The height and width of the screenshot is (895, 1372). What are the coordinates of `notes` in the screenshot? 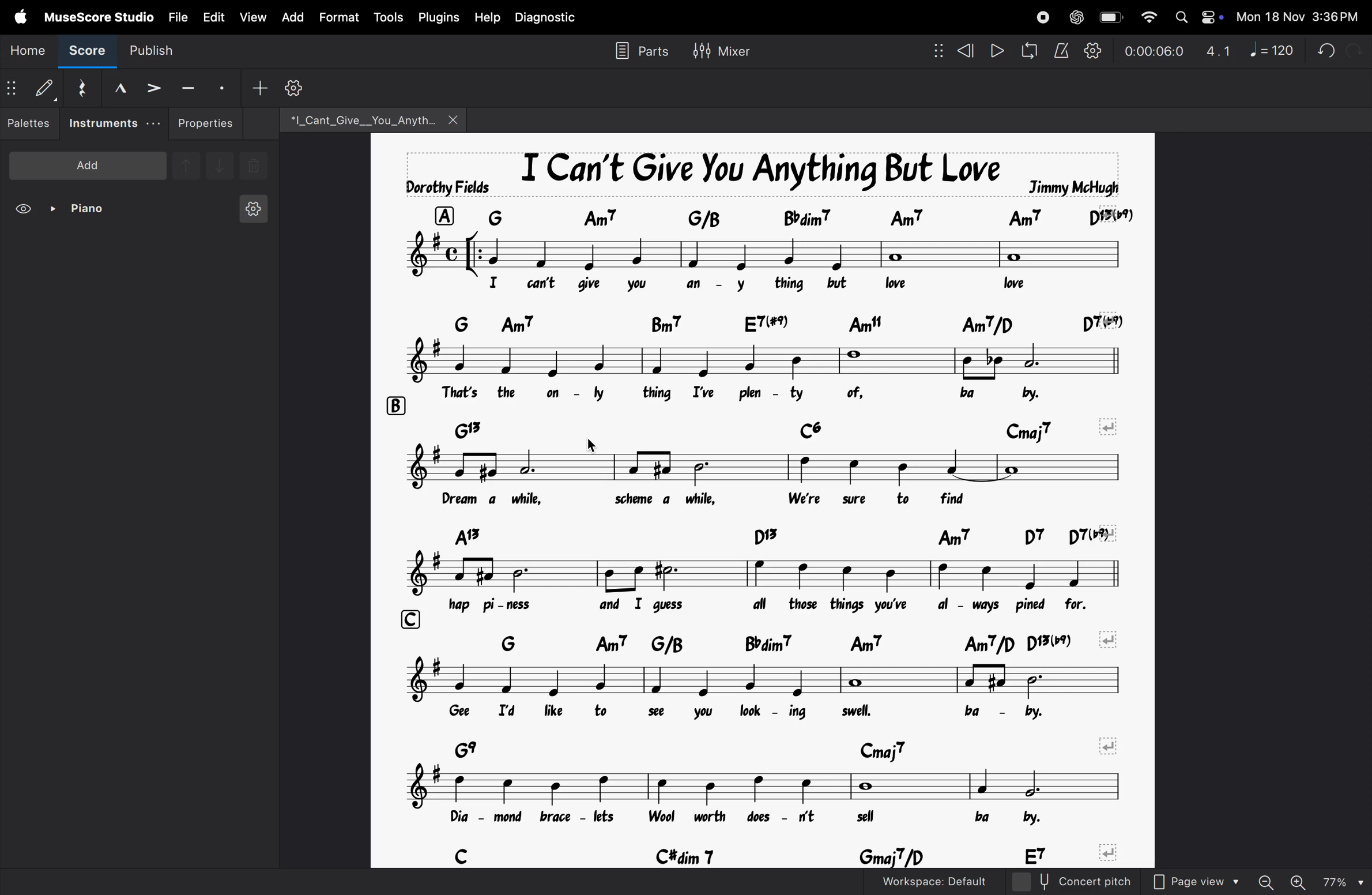 It's located at (768, 574).